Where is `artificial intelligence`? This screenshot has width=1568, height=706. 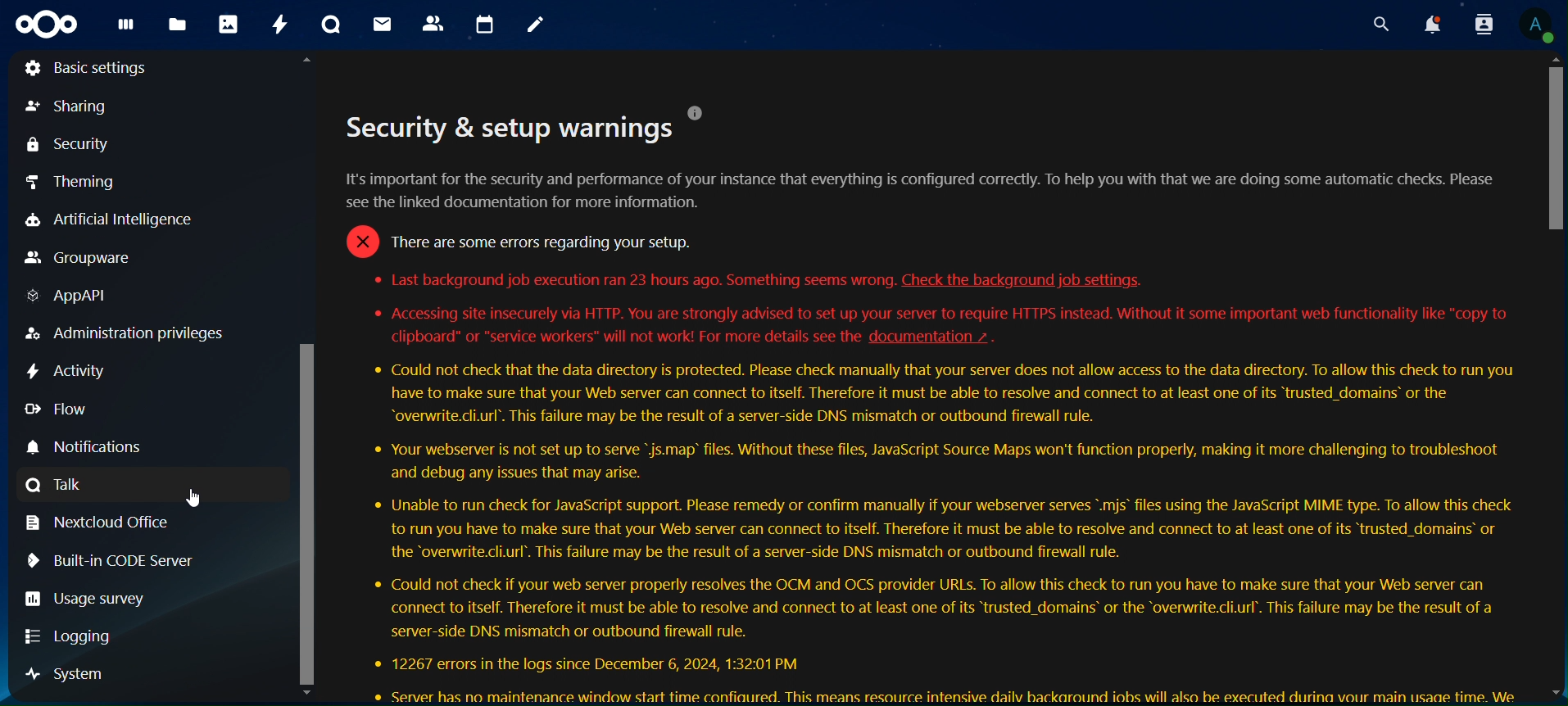
artificial intelligence is located at coordinates (126, 219).